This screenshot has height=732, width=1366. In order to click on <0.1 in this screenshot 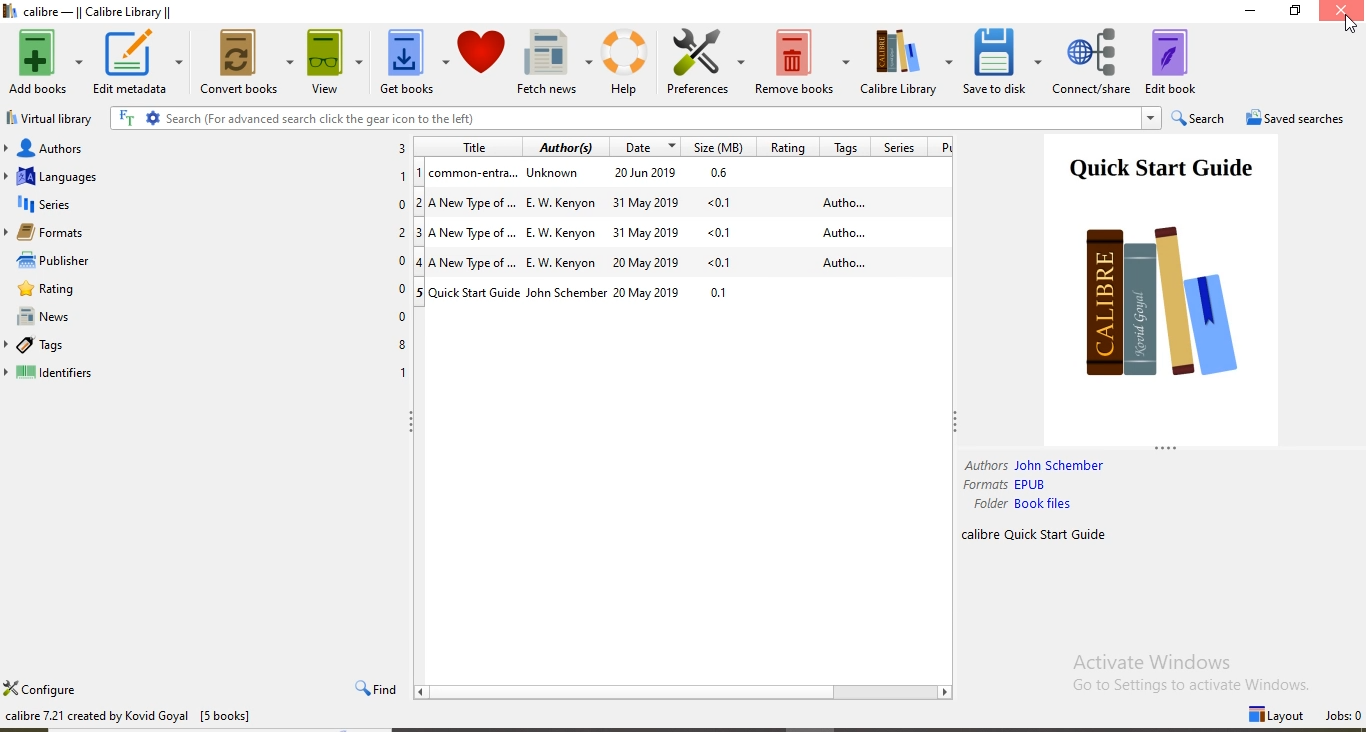, I will do `click(730, 233)`.